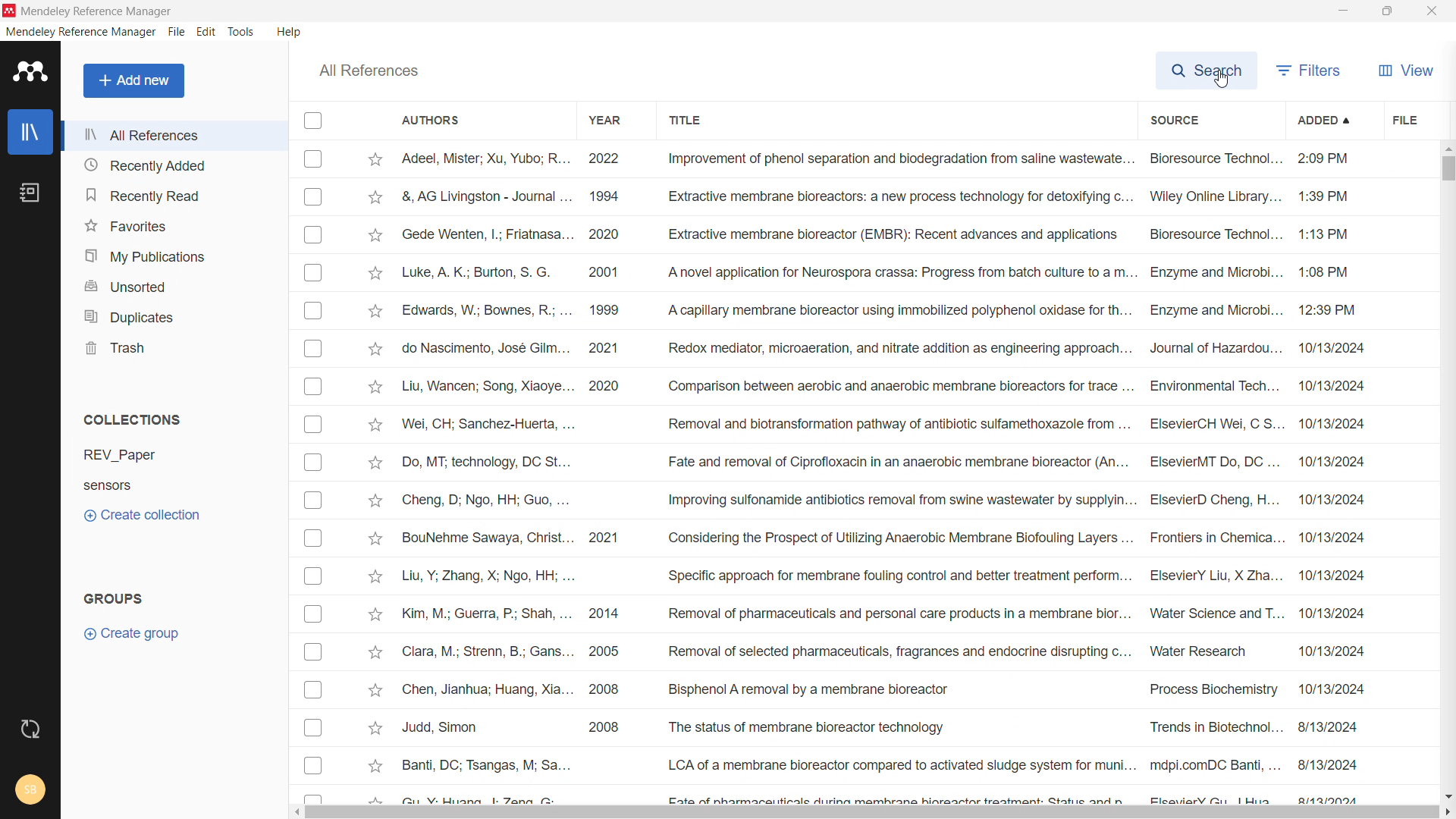  What do you see at coordinates (314, 500) in the screenshot?
I see `Checkbox` at bounding box center [314, 500].